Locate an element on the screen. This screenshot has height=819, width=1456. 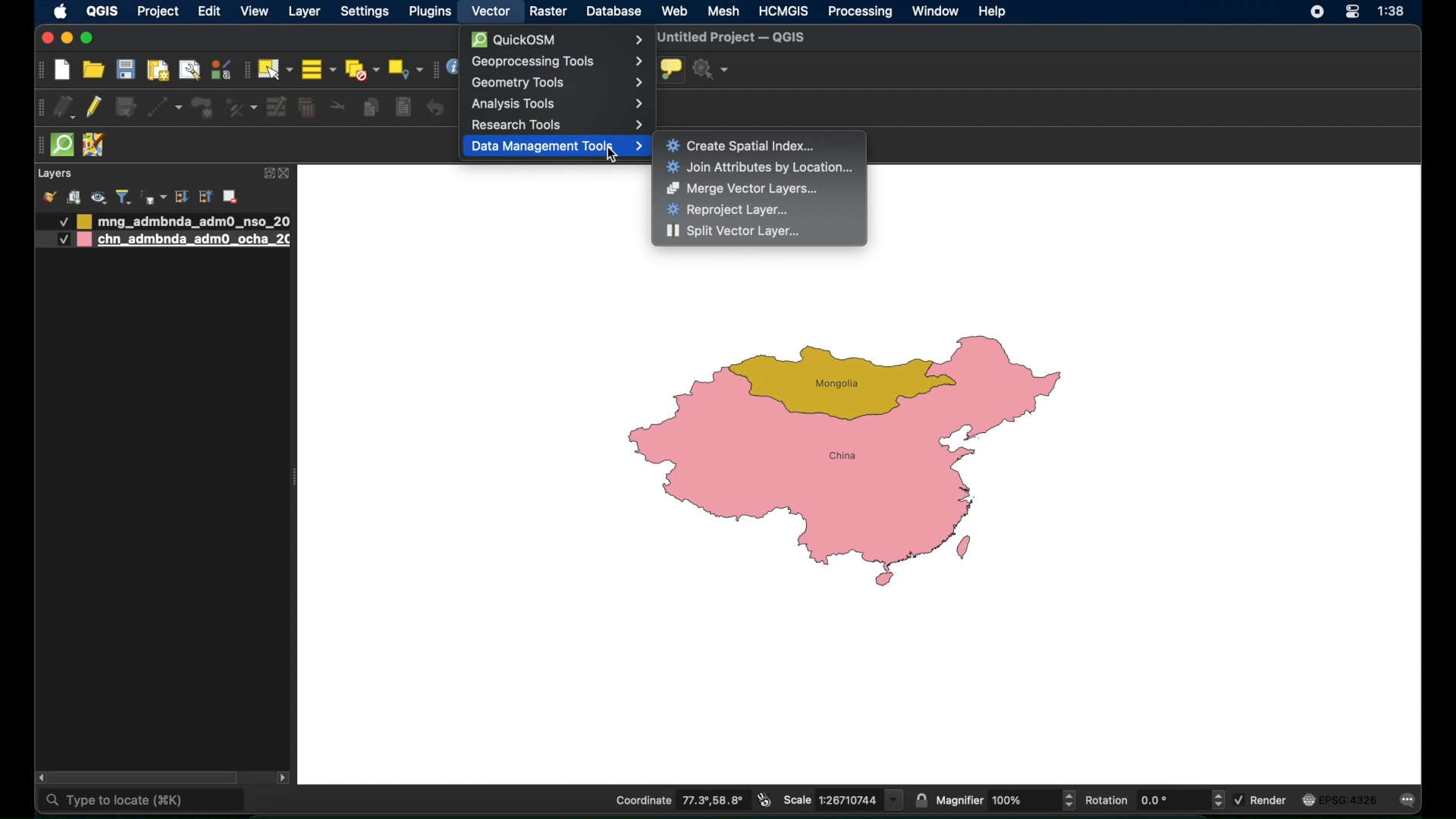
scale is located at coordinates (843, 799).